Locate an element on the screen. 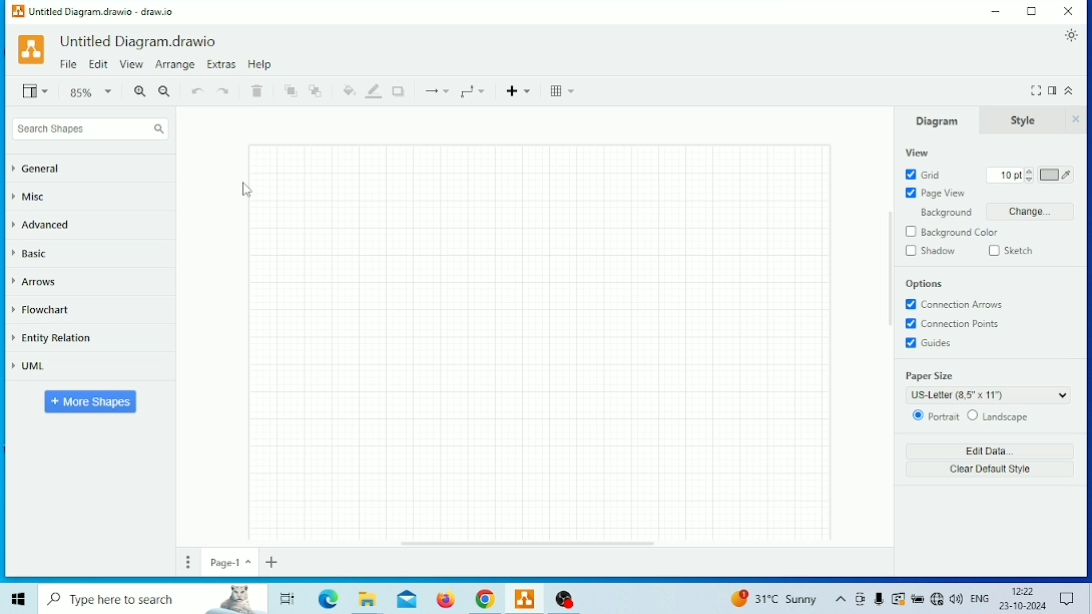  Background is located at coordinates (988, 211).